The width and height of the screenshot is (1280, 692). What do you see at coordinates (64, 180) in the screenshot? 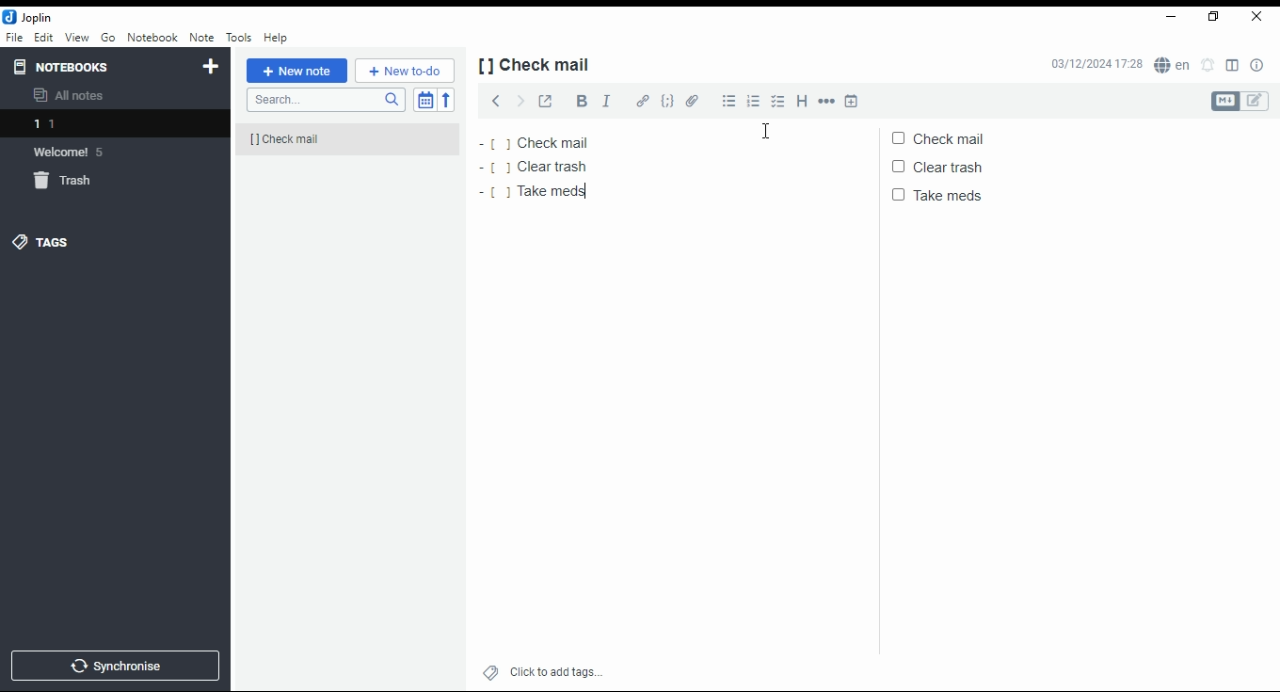
I see `trash` at bounding box center [64, 180].